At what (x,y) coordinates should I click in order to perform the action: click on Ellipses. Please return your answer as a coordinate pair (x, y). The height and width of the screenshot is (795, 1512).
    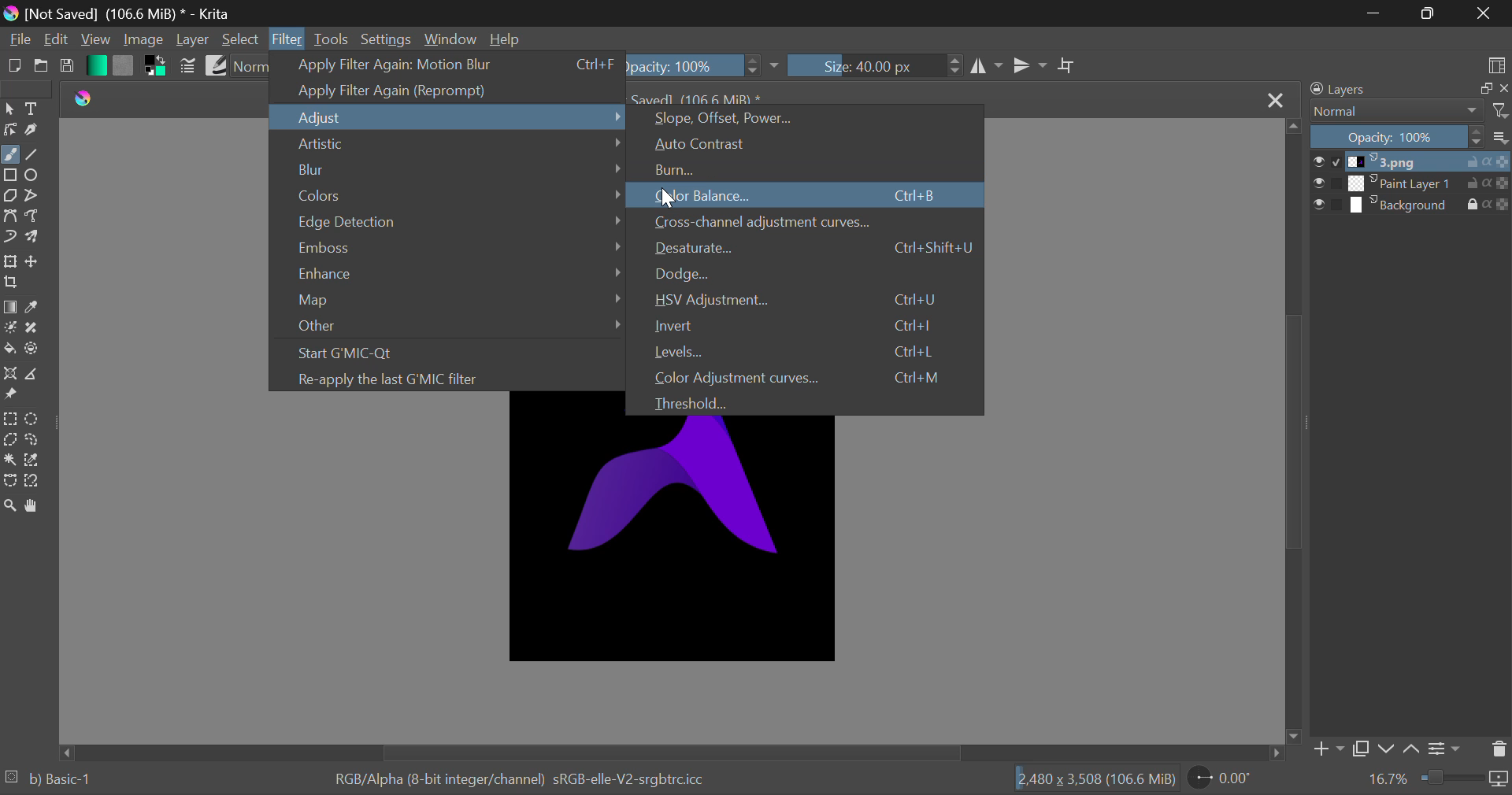
    Looking at the image, I should click on (35, 176).